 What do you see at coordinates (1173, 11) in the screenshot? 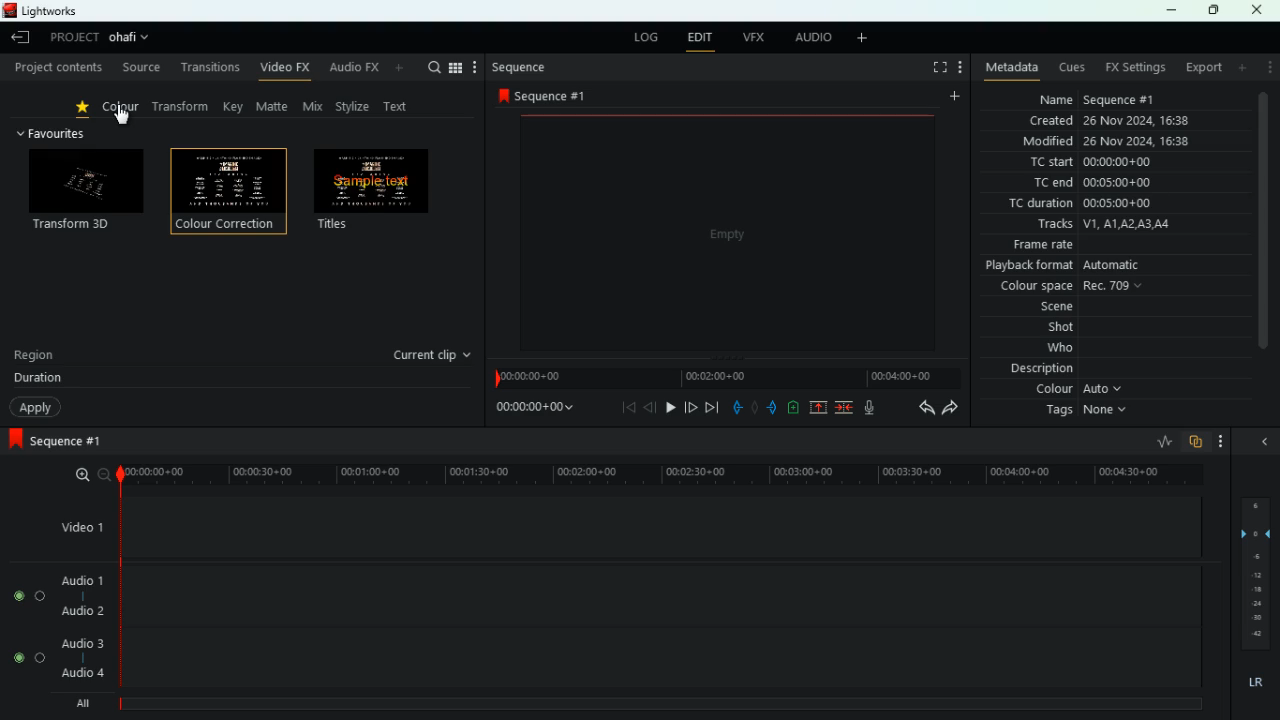
I see `minimize` at bounding box center [1173, 11].